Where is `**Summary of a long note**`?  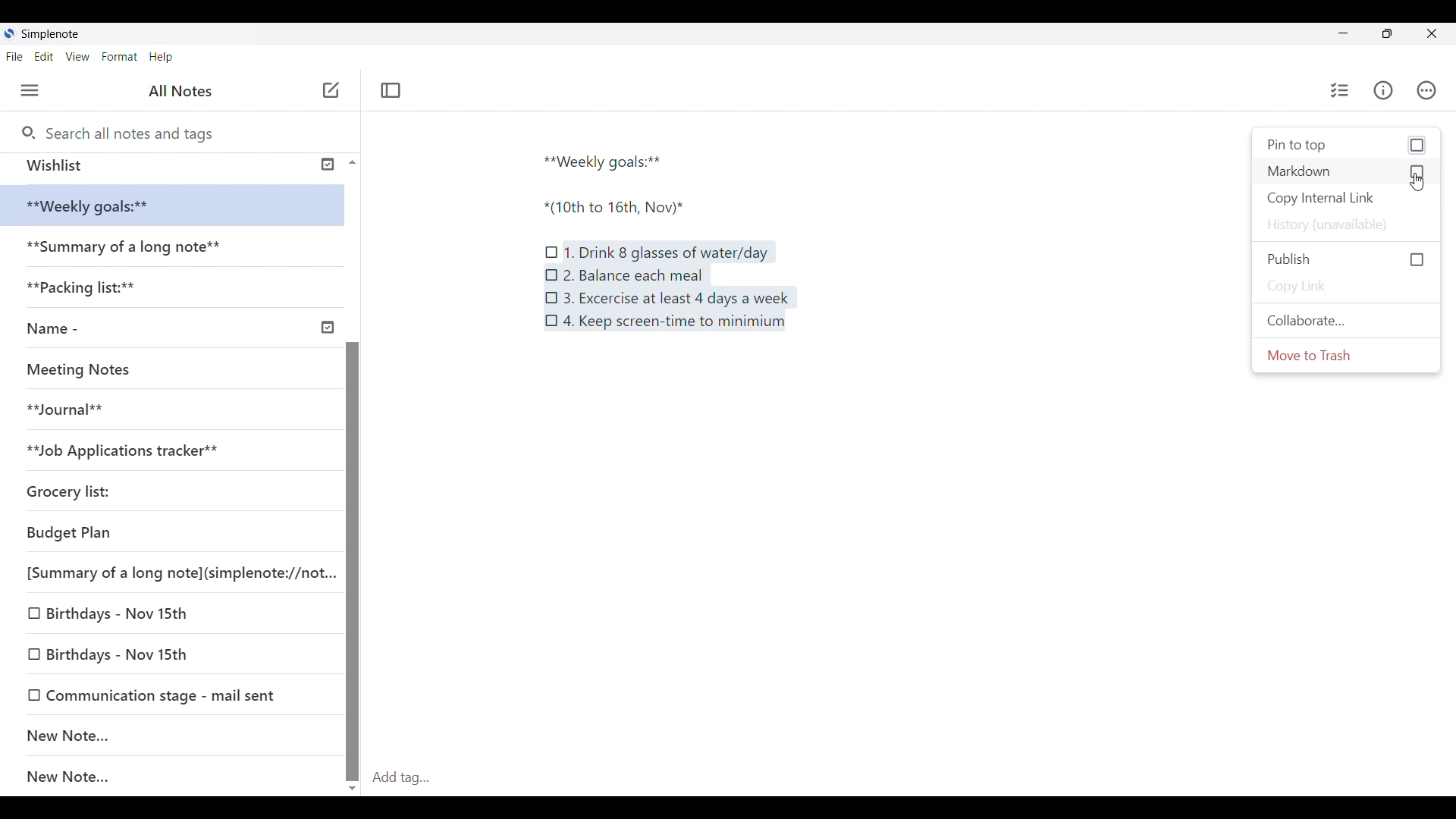 **Summary of a long note** is located at coordinates (128, 249).